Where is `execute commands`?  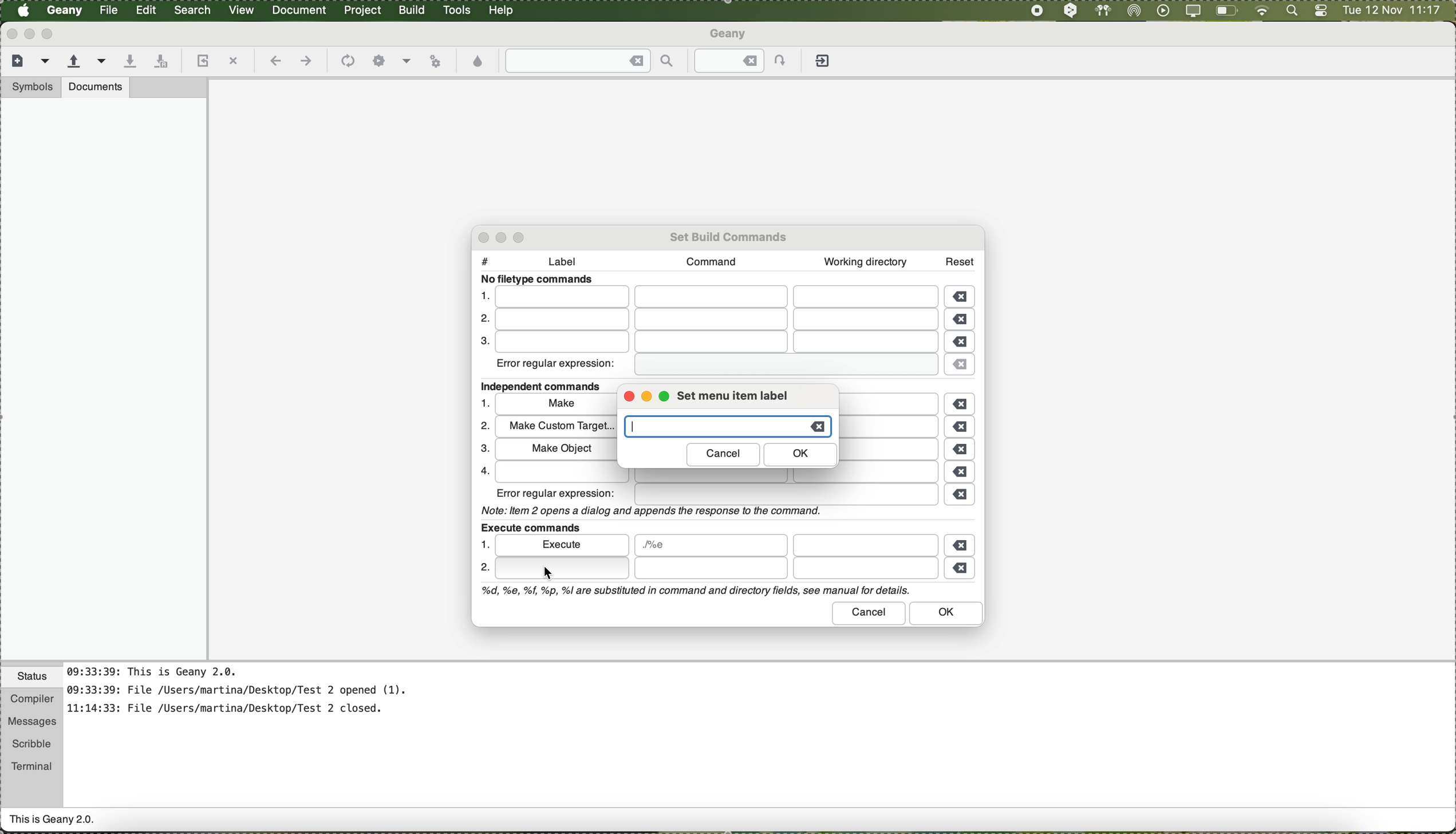
execute commands is located at coordinates (530, 526).